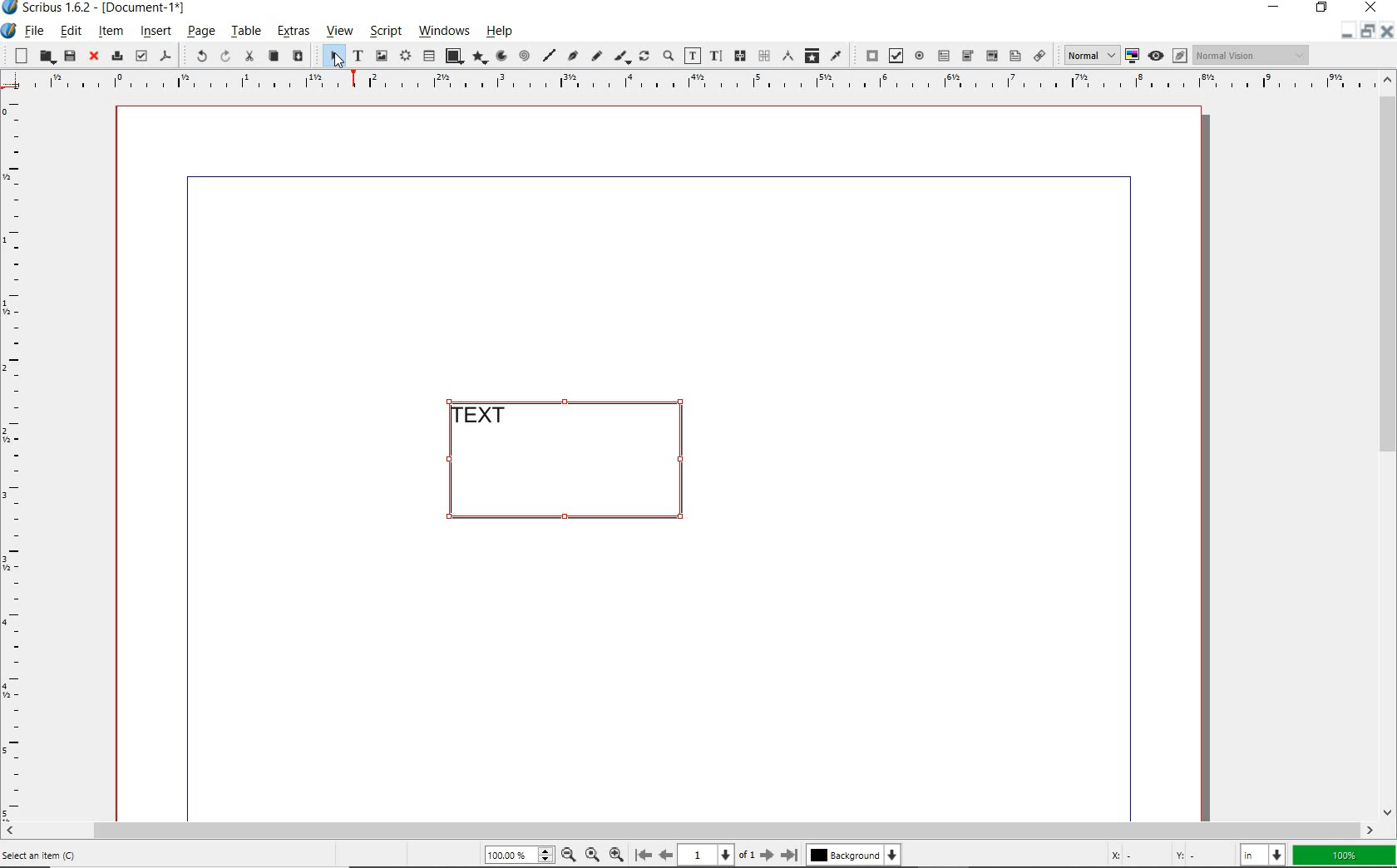 The height and width of the screenshot is (868, 1397). Describe the element at coordinates (225, 56) in the screenshot. I see `redo` at that location.